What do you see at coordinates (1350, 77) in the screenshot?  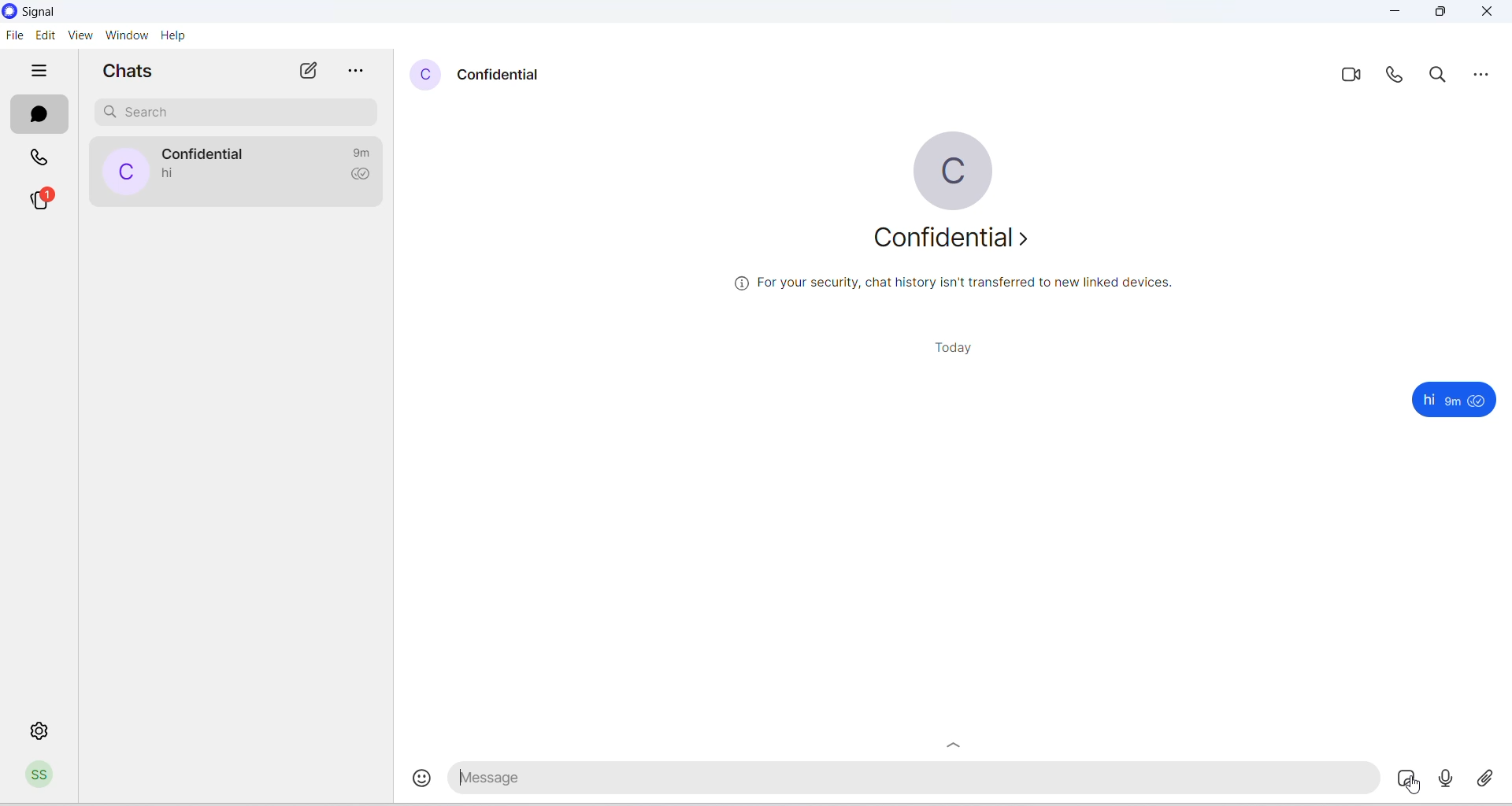 I see `video call` at bounding box center [1350, 77].